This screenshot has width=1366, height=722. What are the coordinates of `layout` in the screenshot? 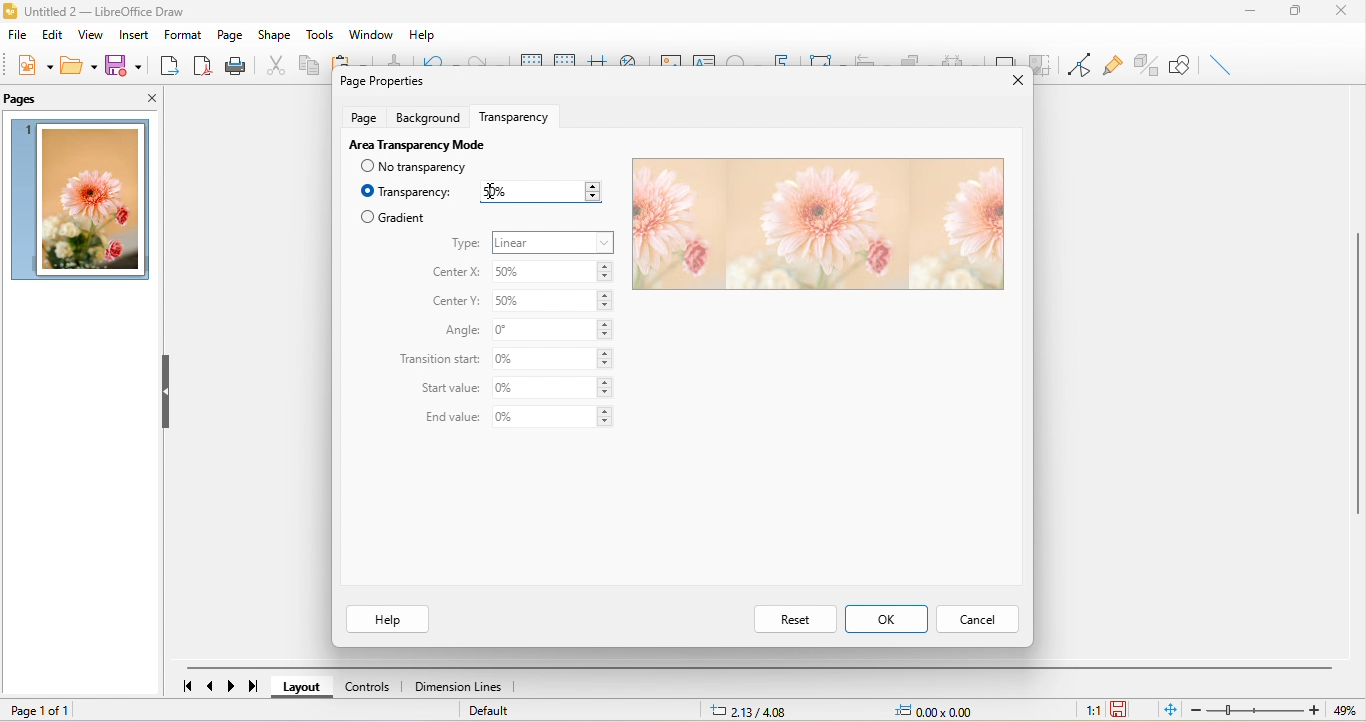 It's located at (307, 687).